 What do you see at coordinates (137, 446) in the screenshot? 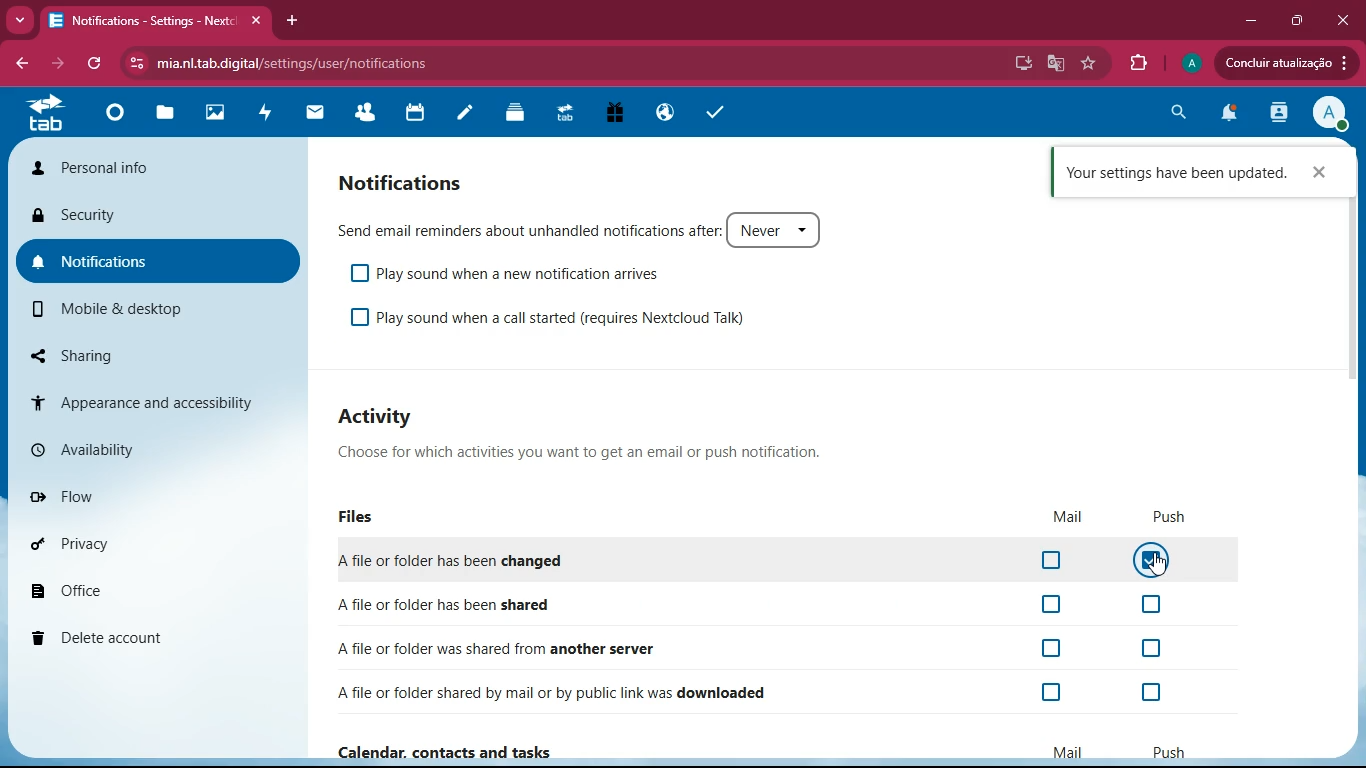
I see `availability` at bounding box center [137, 446].